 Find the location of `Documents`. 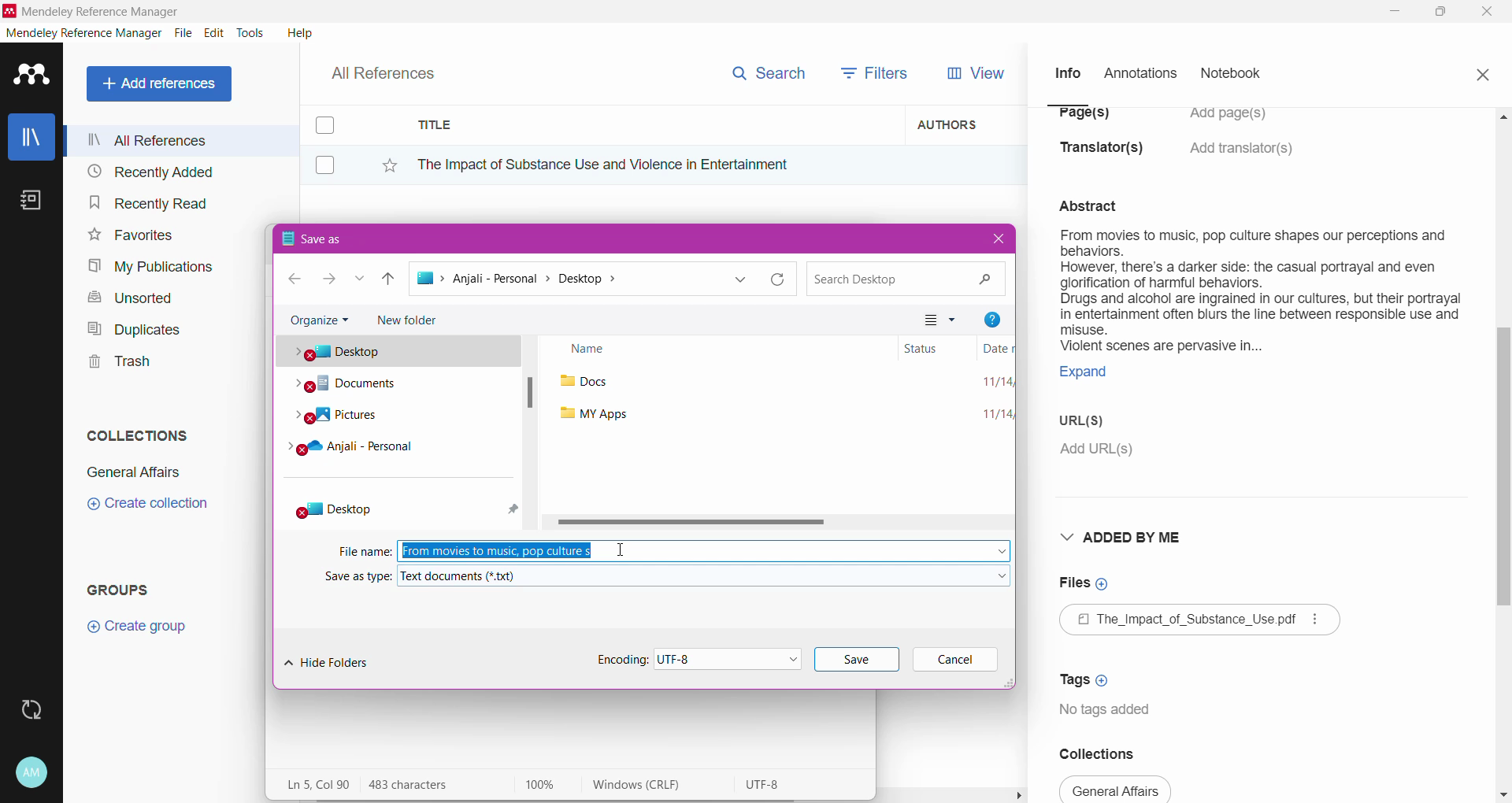

Documents is located at coordinates (354, 387).